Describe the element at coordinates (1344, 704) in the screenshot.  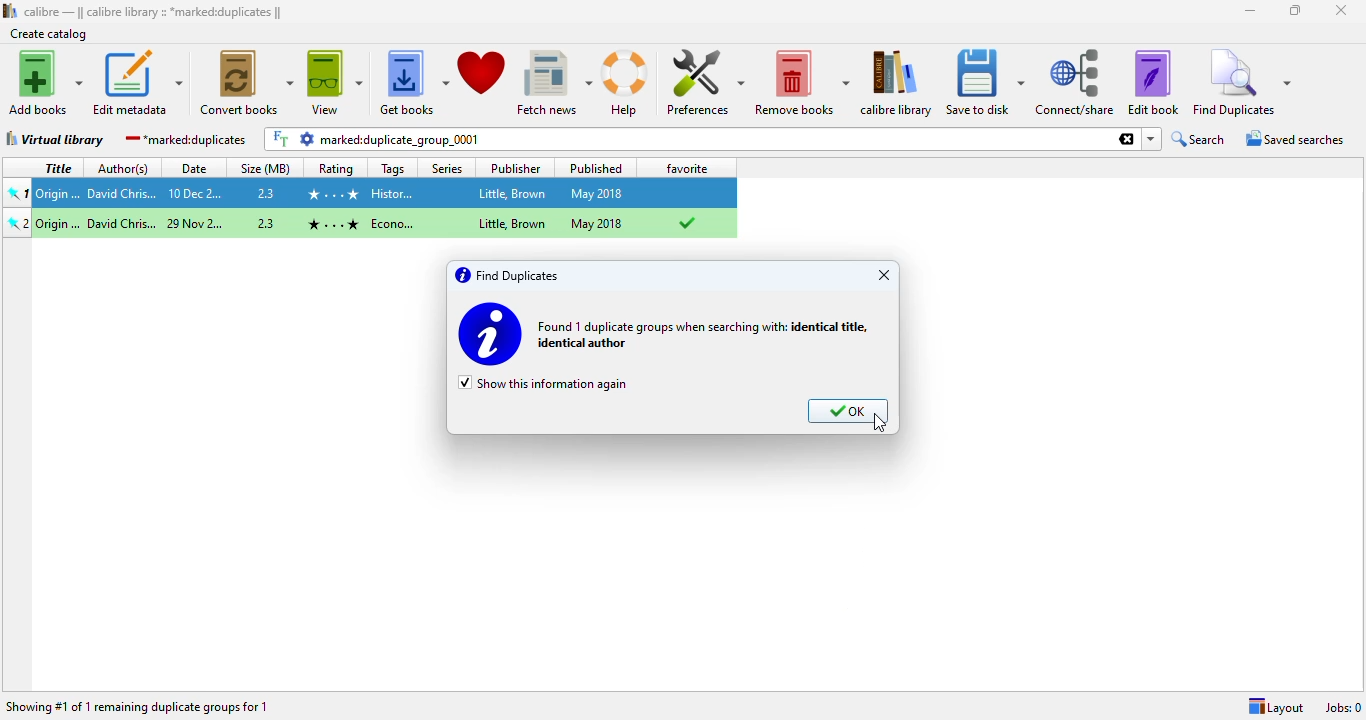
I see `Jobs: 0` at that location.